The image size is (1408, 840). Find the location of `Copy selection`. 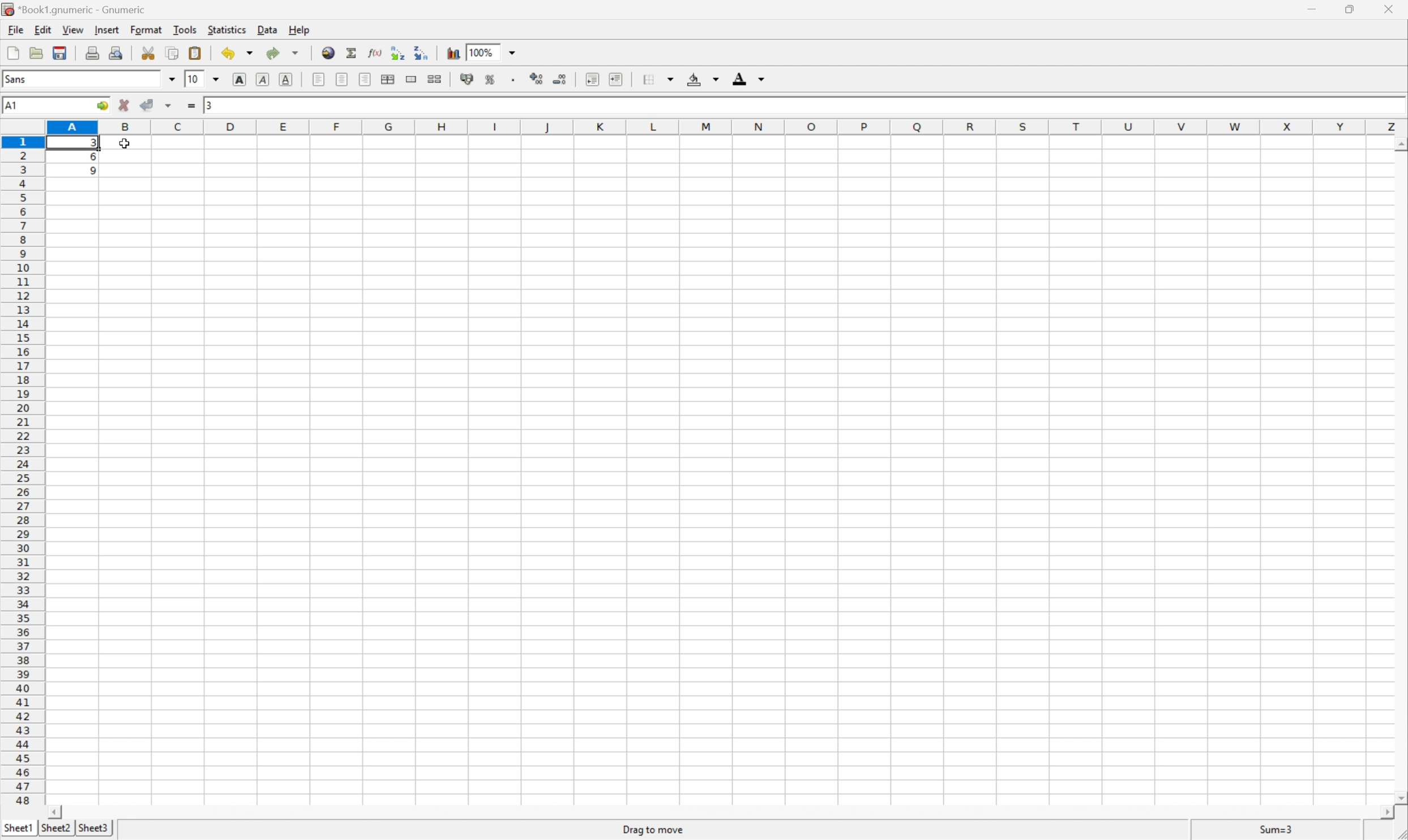

Copy selection is located at coordinates (173, 53).